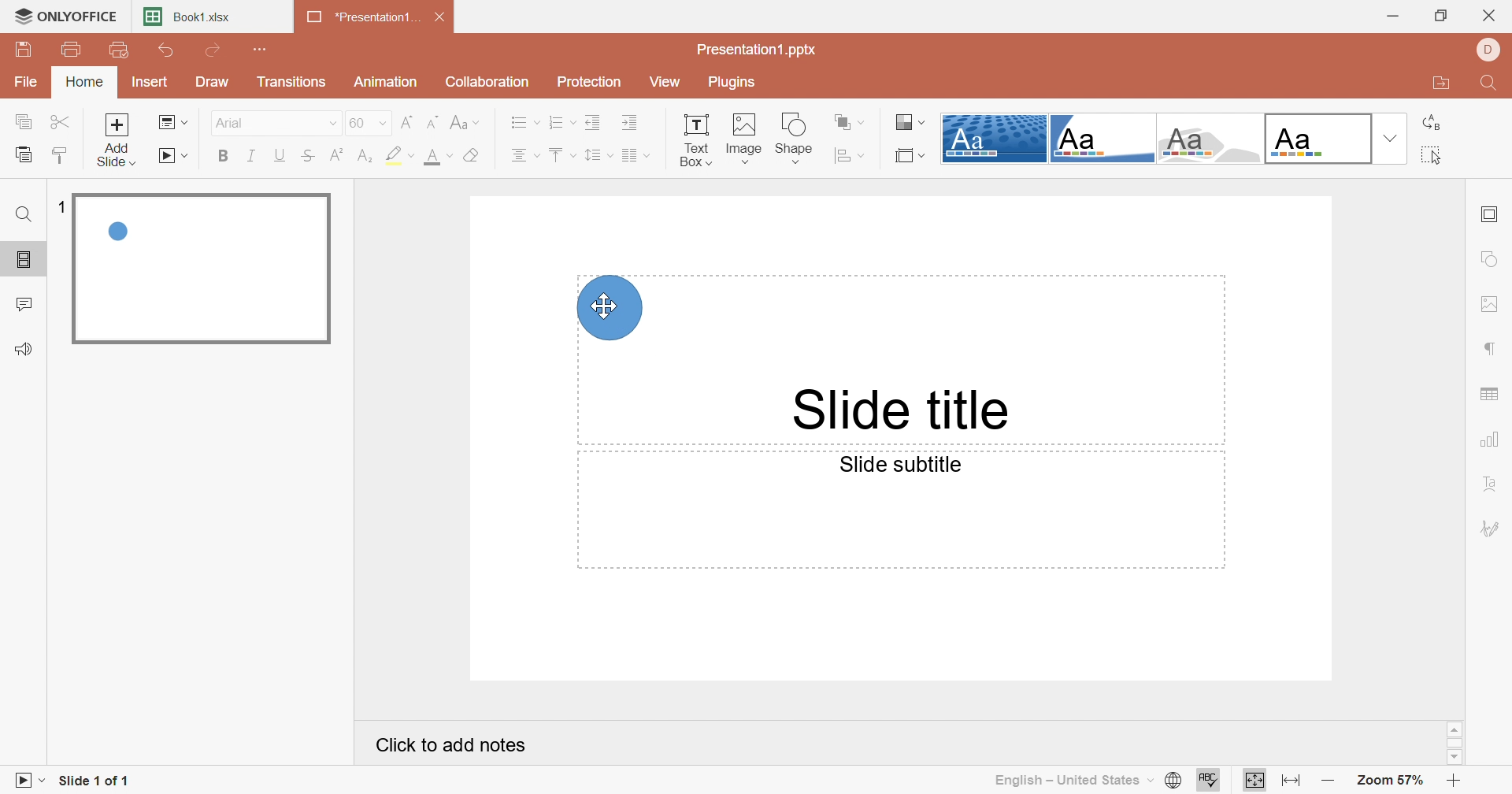  I want to click on Open file location, so click(1437, 84).